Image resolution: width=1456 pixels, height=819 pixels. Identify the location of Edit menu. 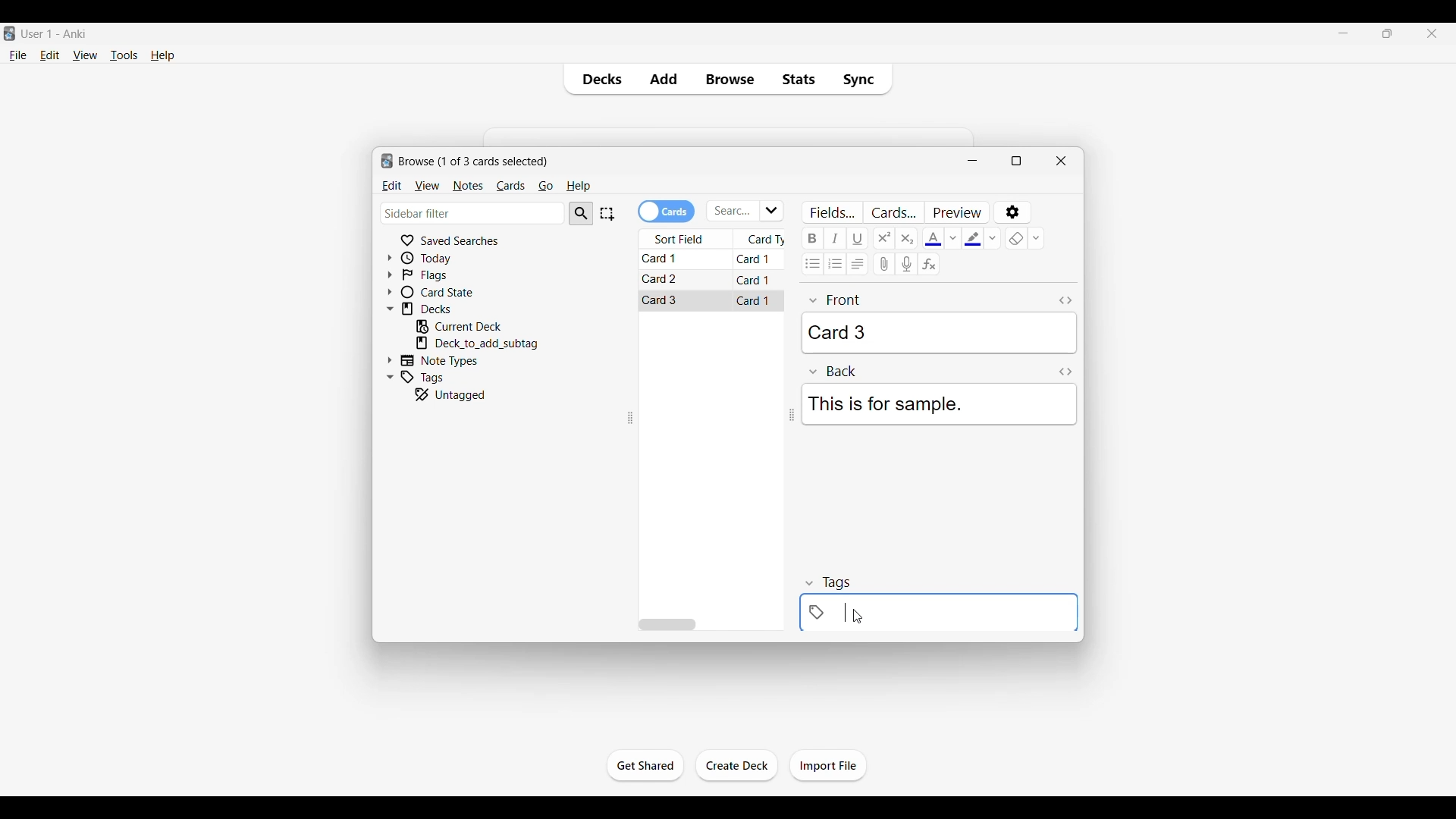
(50, 55).